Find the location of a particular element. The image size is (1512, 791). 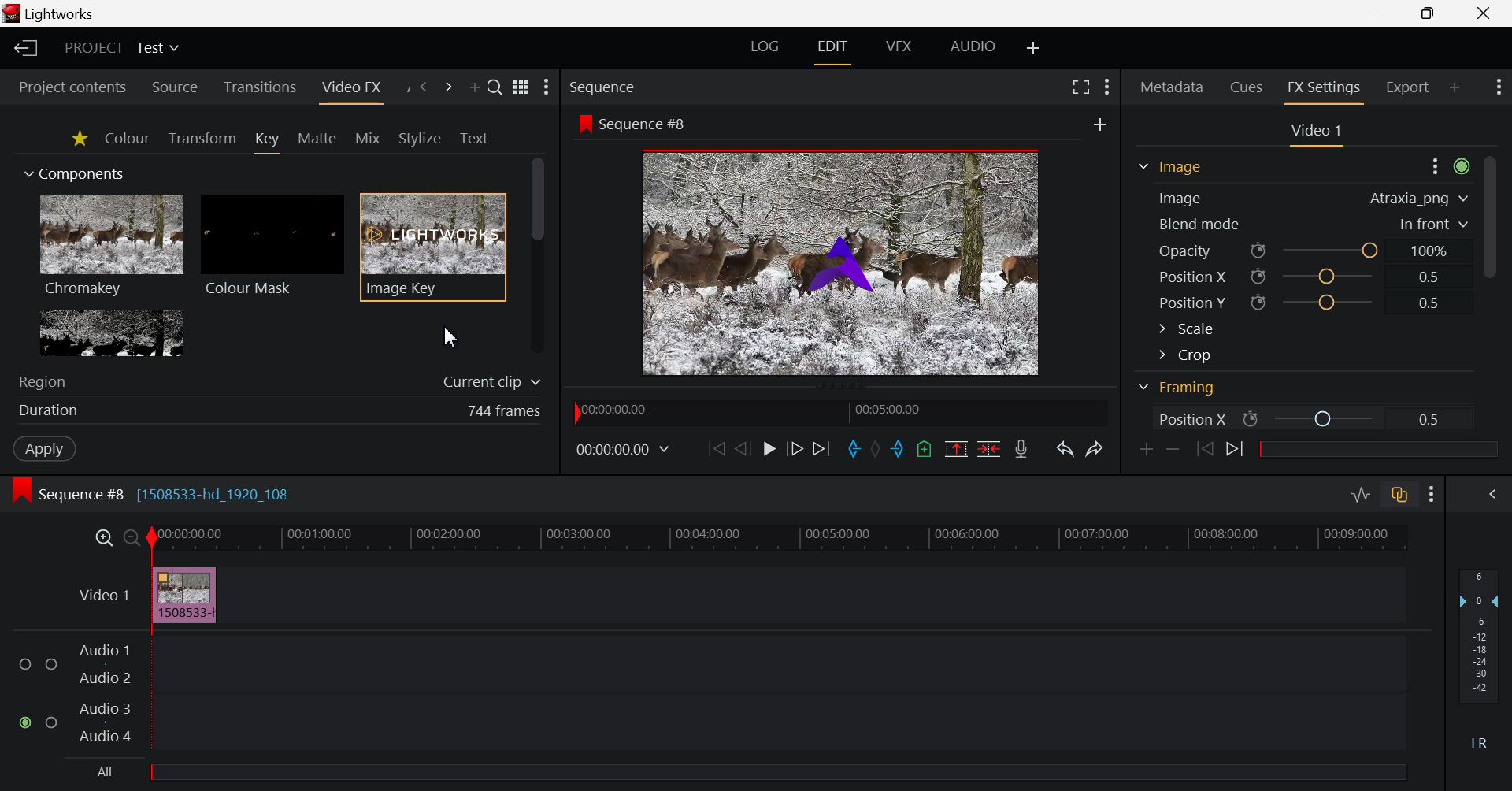

Minimize is located at coordinates (1428, 13).